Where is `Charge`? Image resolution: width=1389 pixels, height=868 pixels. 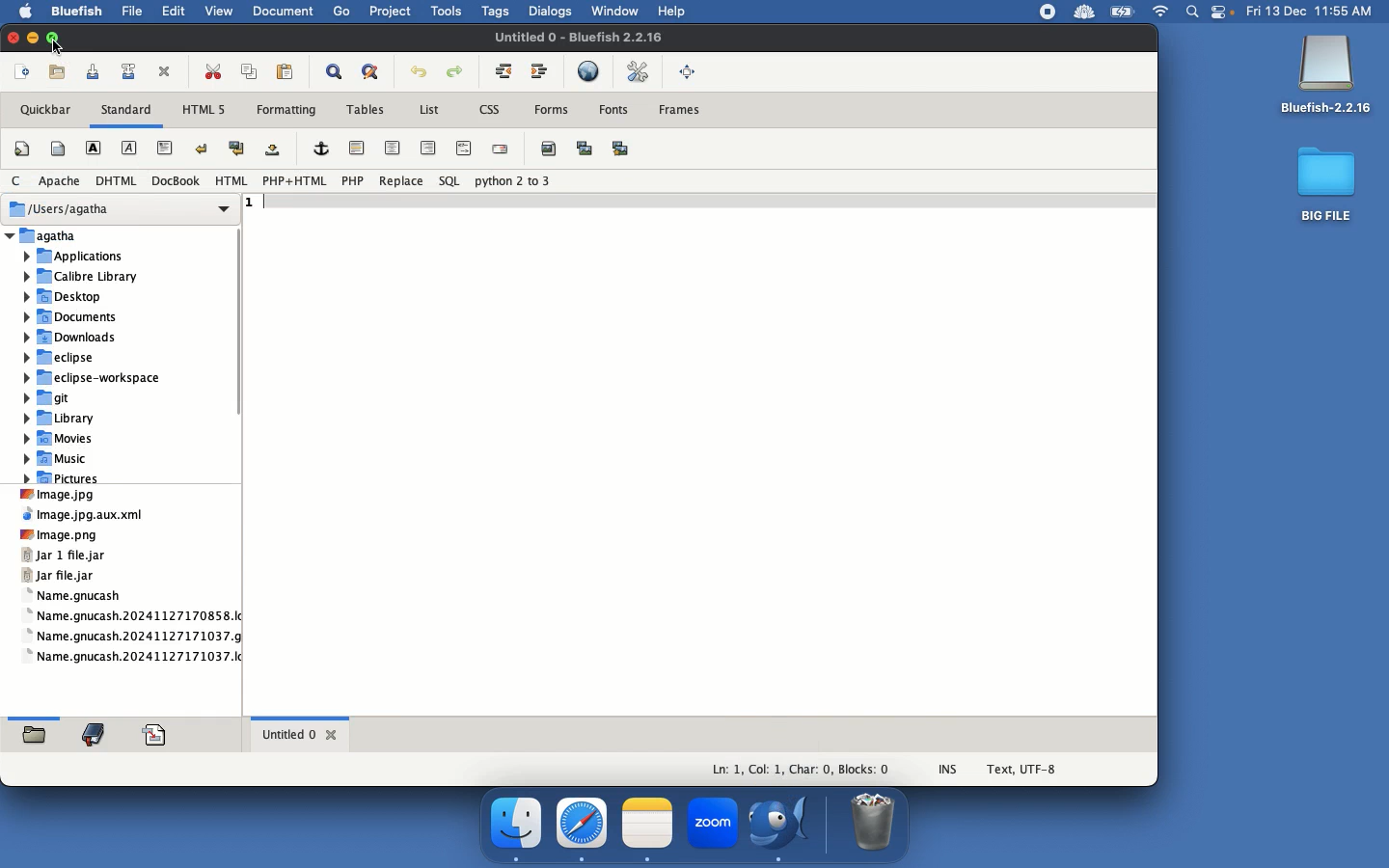
Charge is located at coordinates (1122, 14).